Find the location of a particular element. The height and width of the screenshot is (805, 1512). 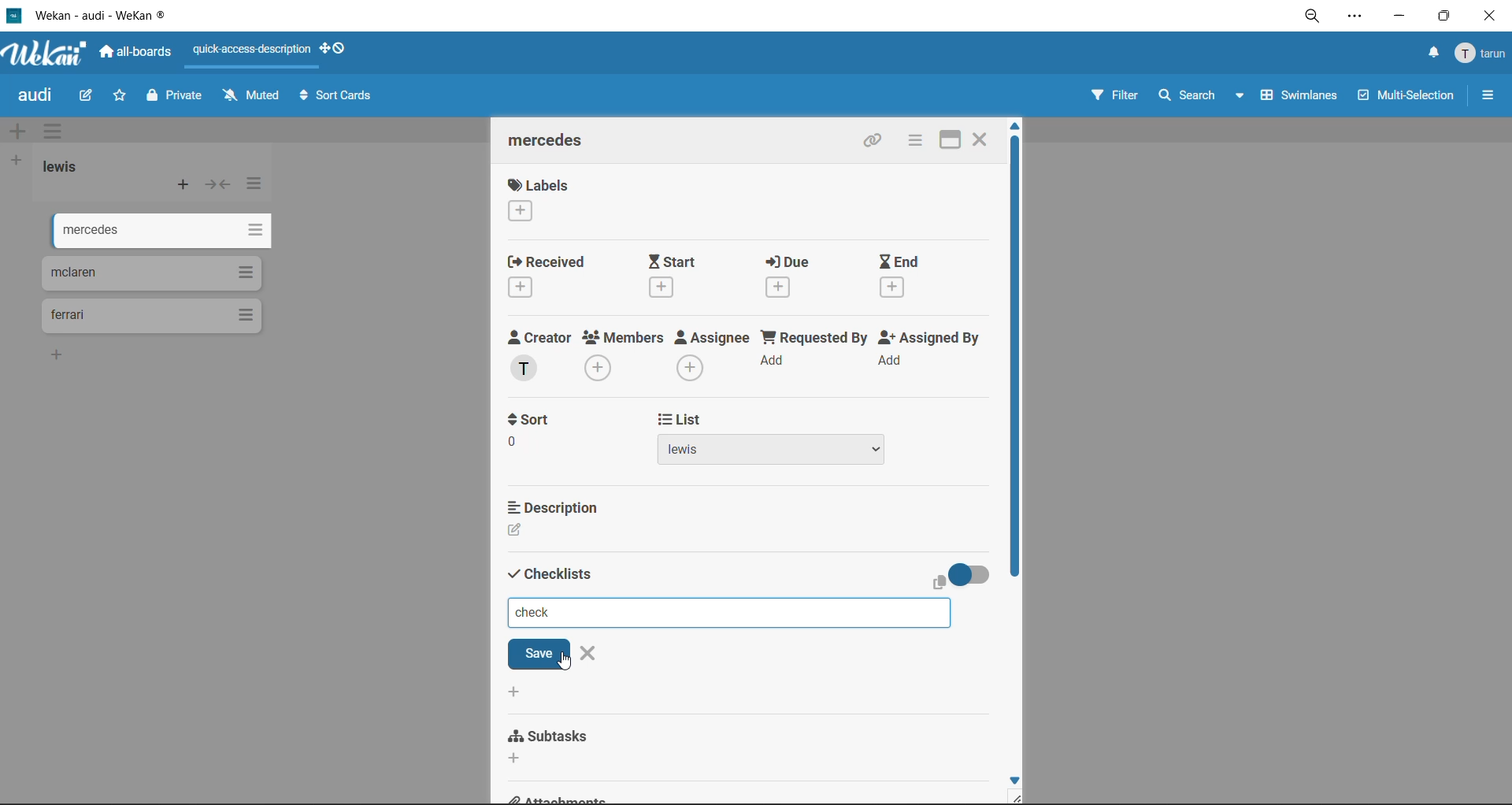

list title is located at coordinates (67, 167).